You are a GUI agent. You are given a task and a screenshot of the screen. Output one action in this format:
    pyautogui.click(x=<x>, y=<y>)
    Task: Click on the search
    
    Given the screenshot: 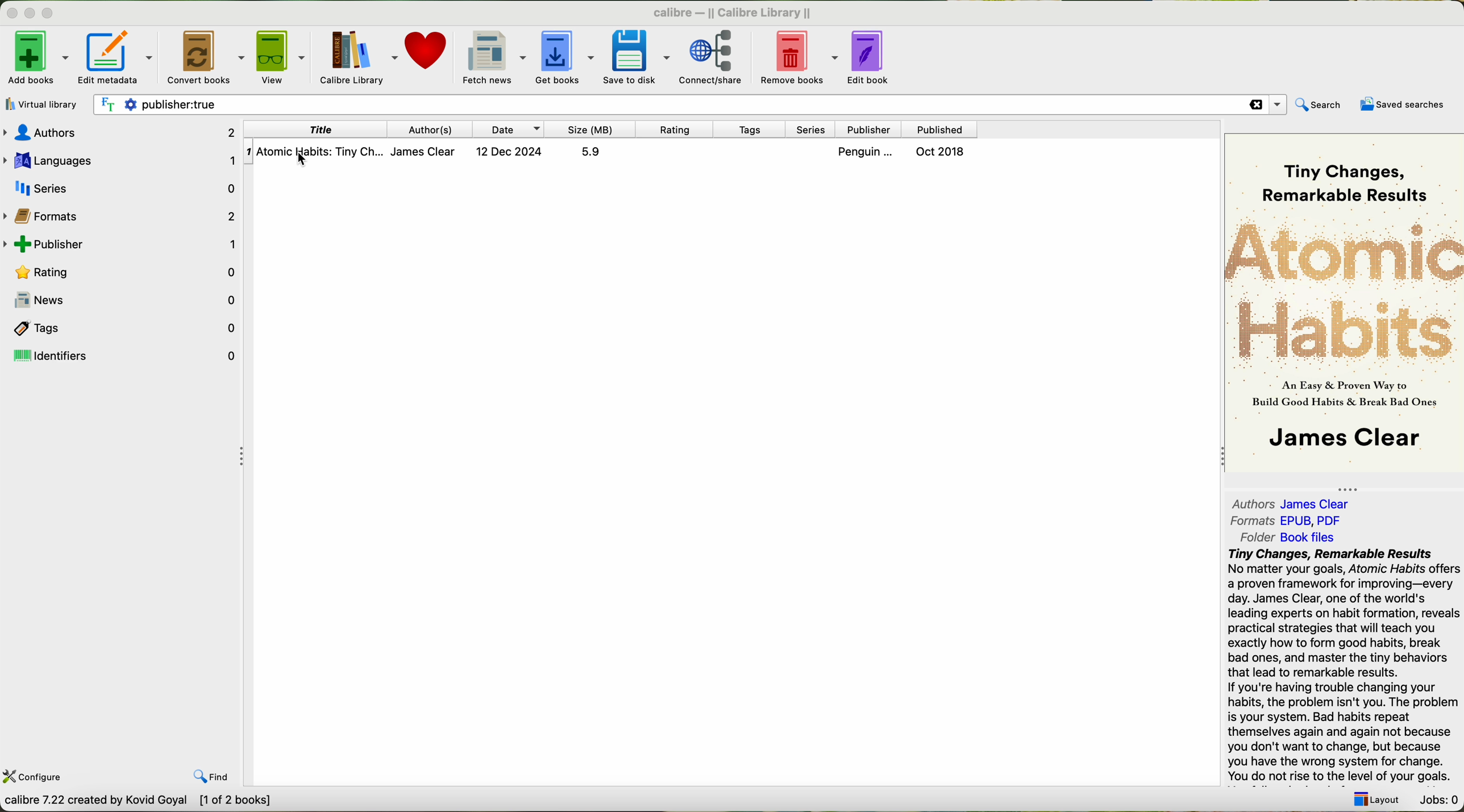 What is the action you would take?
    pyautogui.click(x=1320, y=104)
    